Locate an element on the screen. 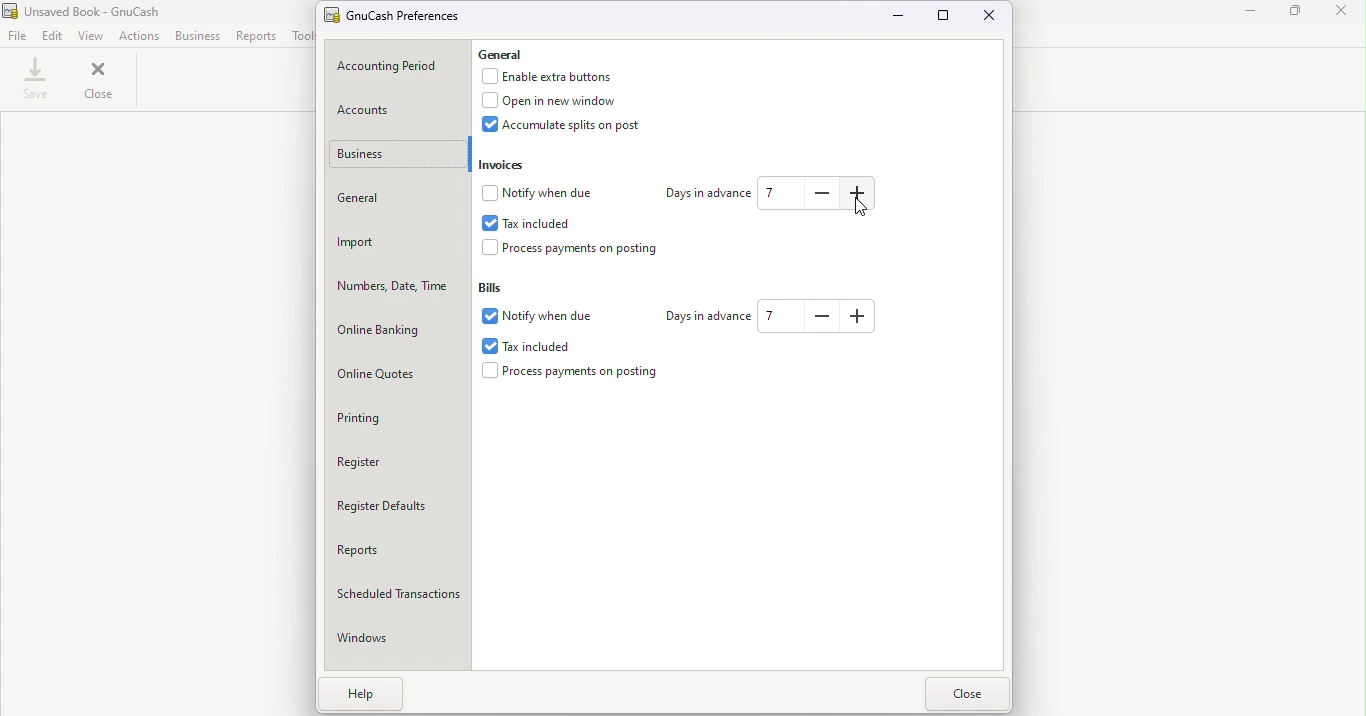 This screenshot has height=716, width=1366. Online quotes is located at coordinates (399, 375).